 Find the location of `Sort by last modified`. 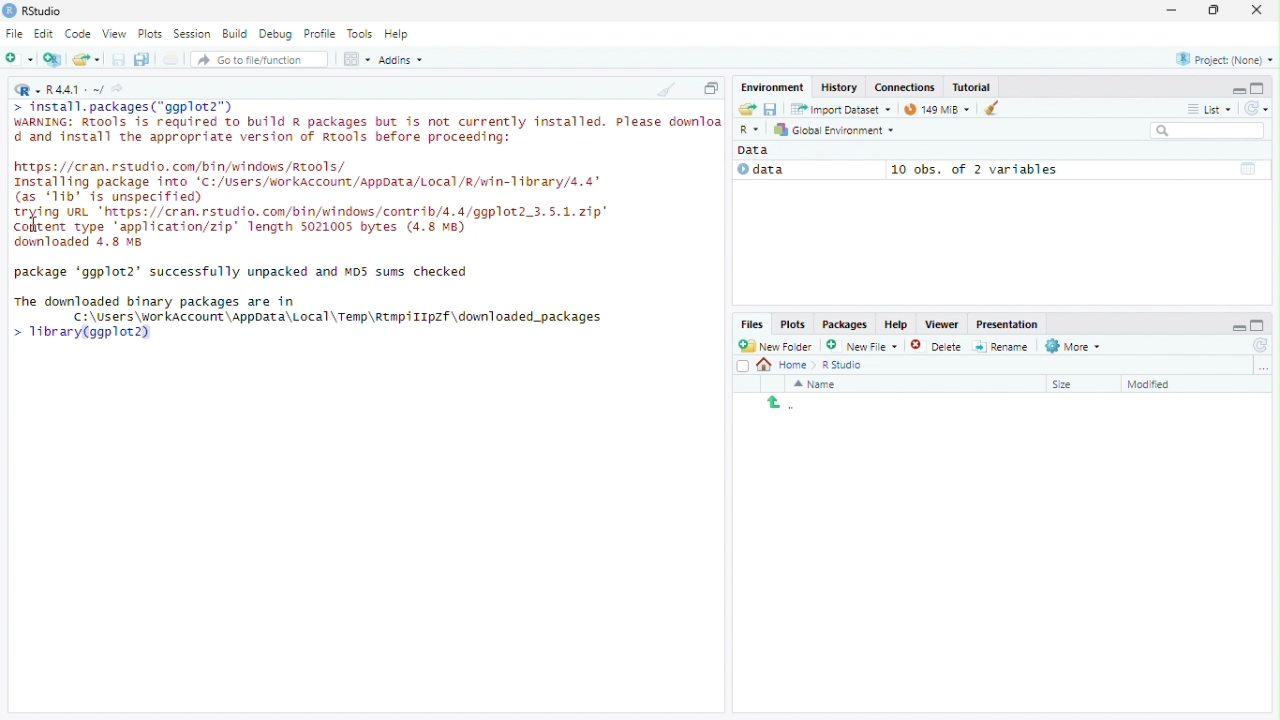

Sort by last modified is located at coordinates (1164, 384).